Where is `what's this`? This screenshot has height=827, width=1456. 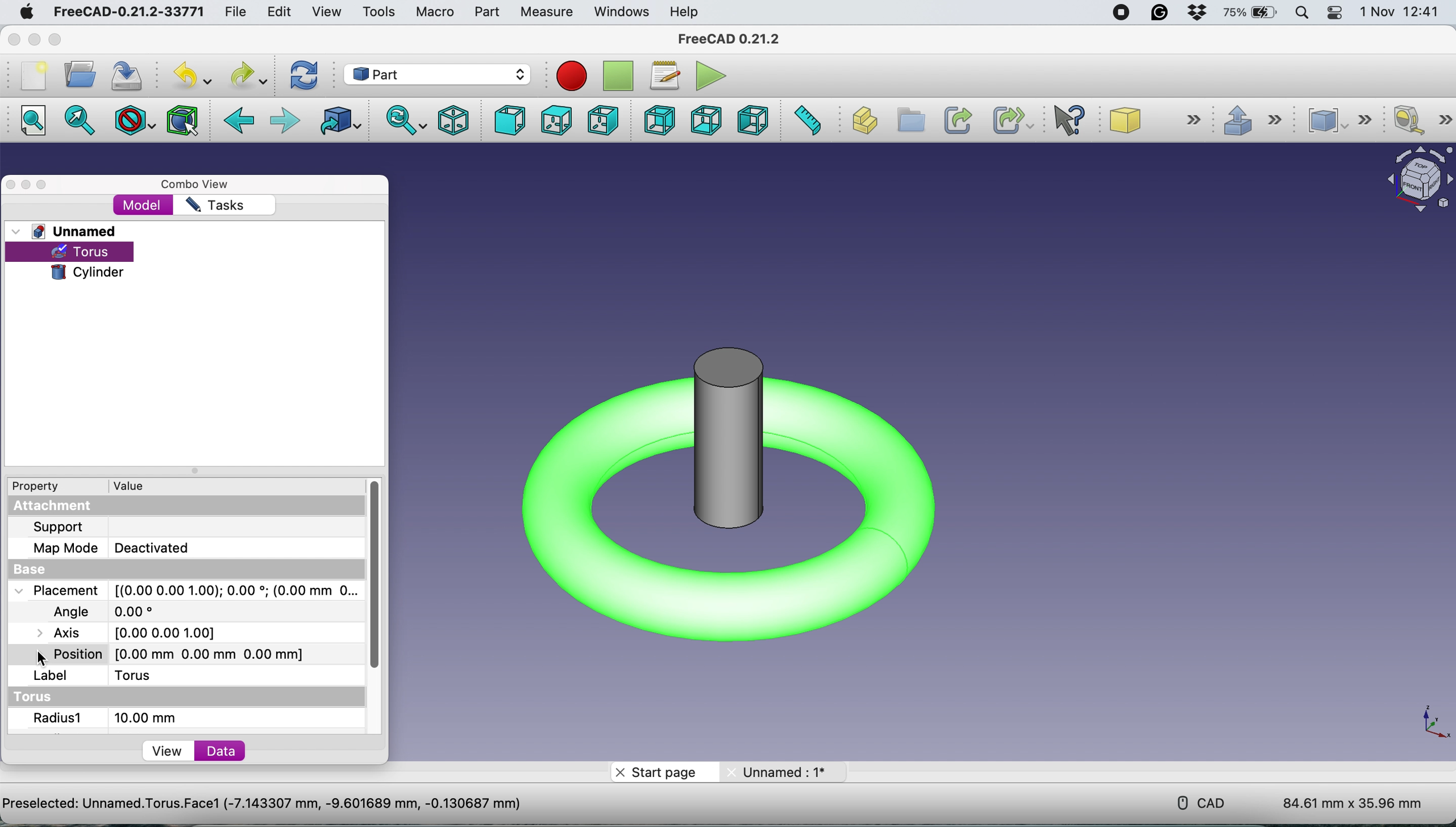 what's this is located at coordinates (1076, 120).